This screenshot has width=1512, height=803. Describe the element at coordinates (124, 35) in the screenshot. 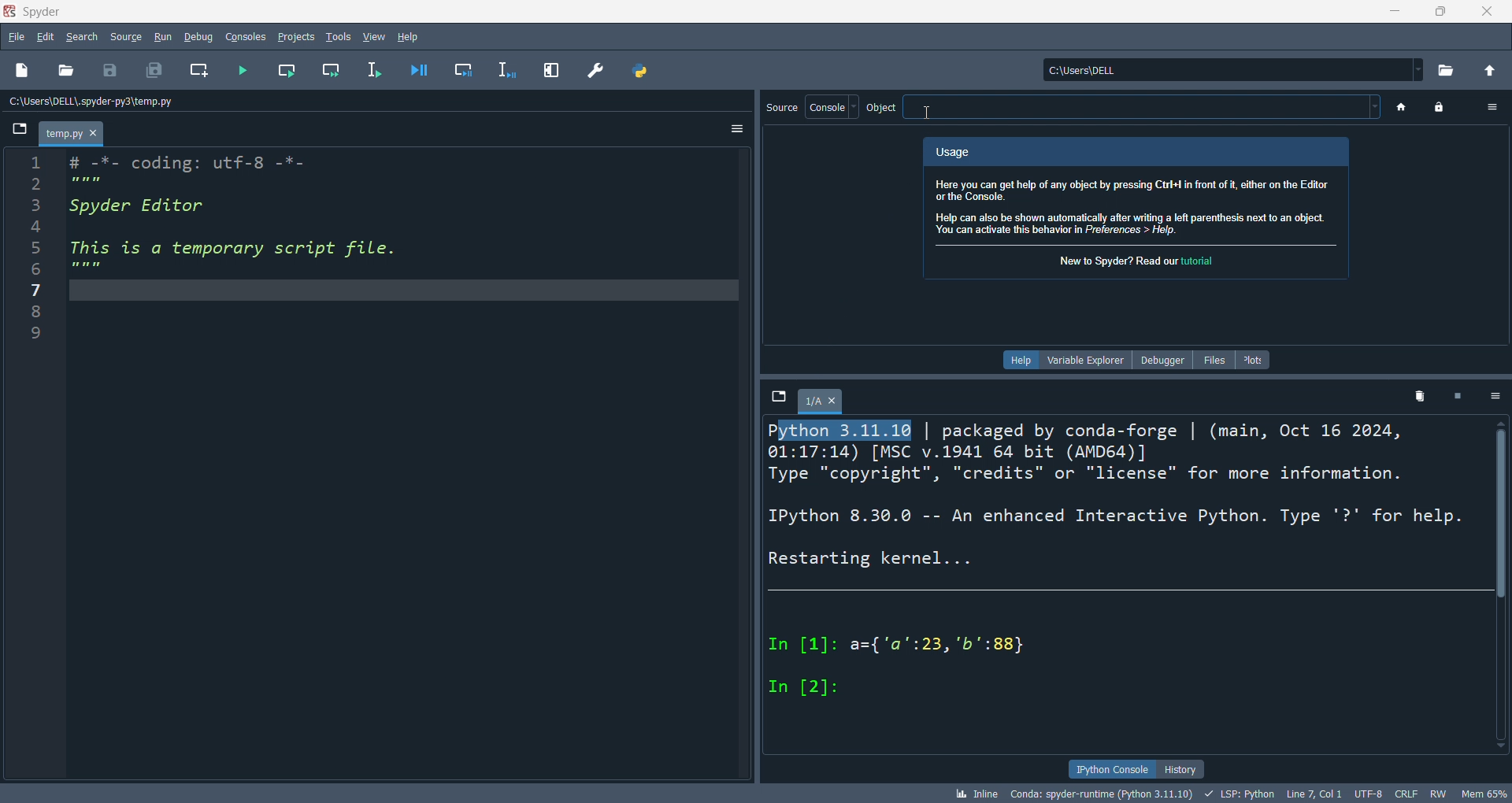

I see `source` at that location.